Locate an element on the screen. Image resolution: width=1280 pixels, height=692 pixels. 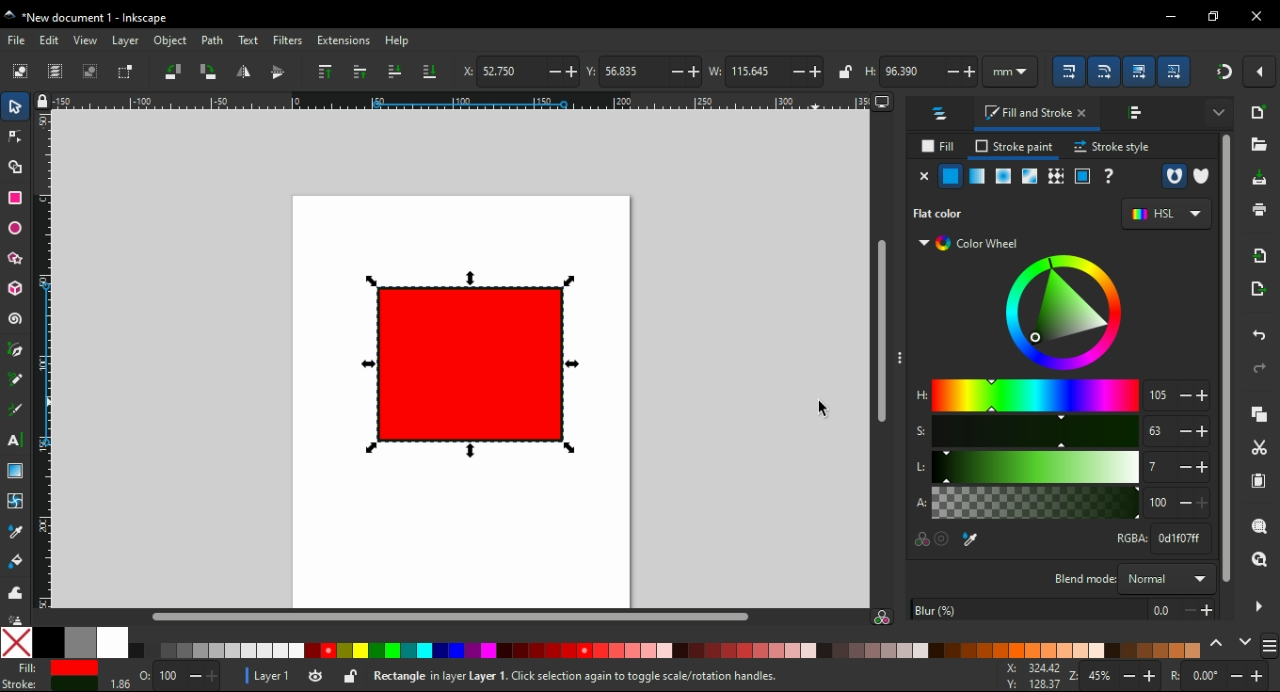
view is located at coordinates (84, 40).